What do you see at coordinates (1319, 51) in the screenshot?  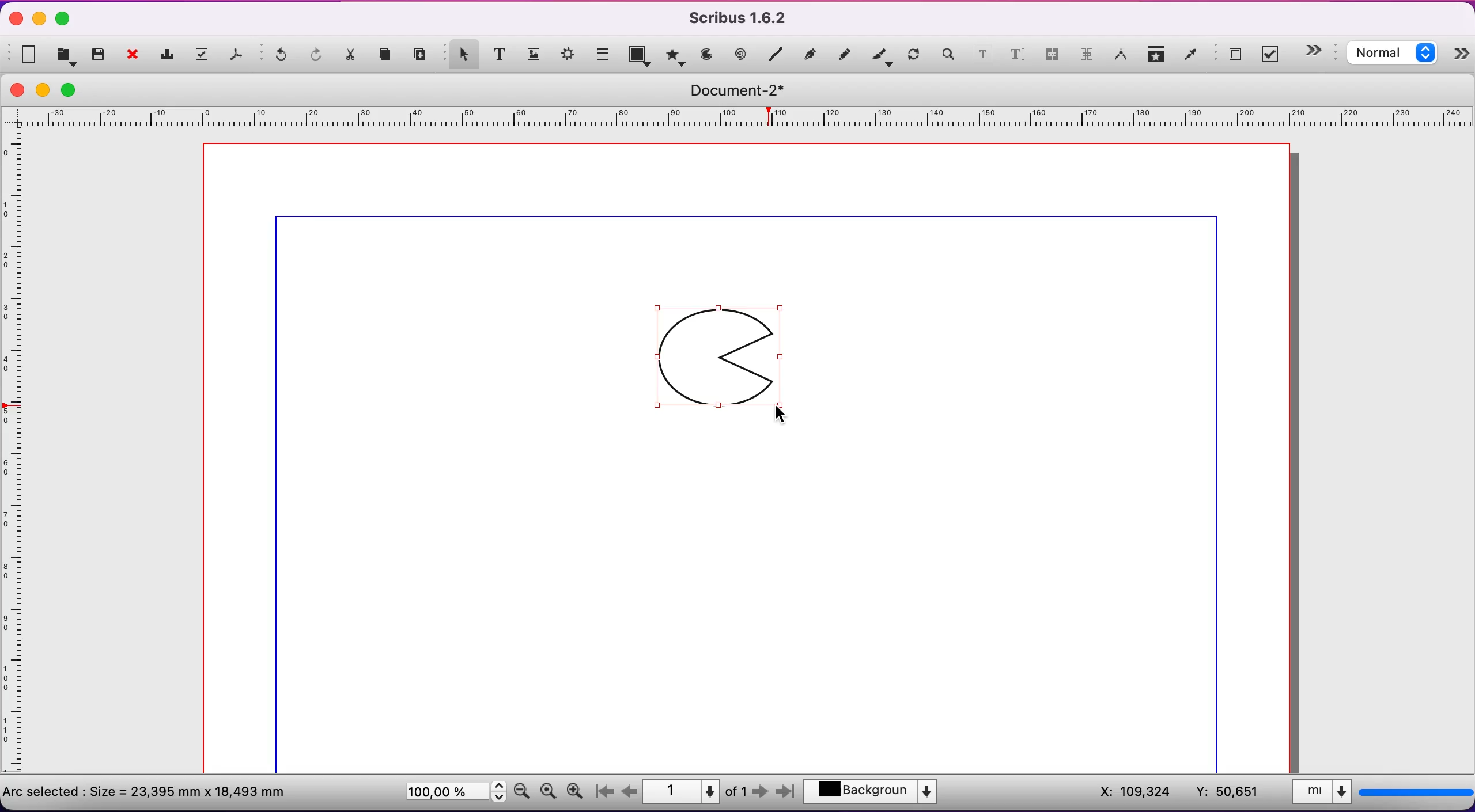 I see `hide/show panel` at bounding box center [1319, 51].